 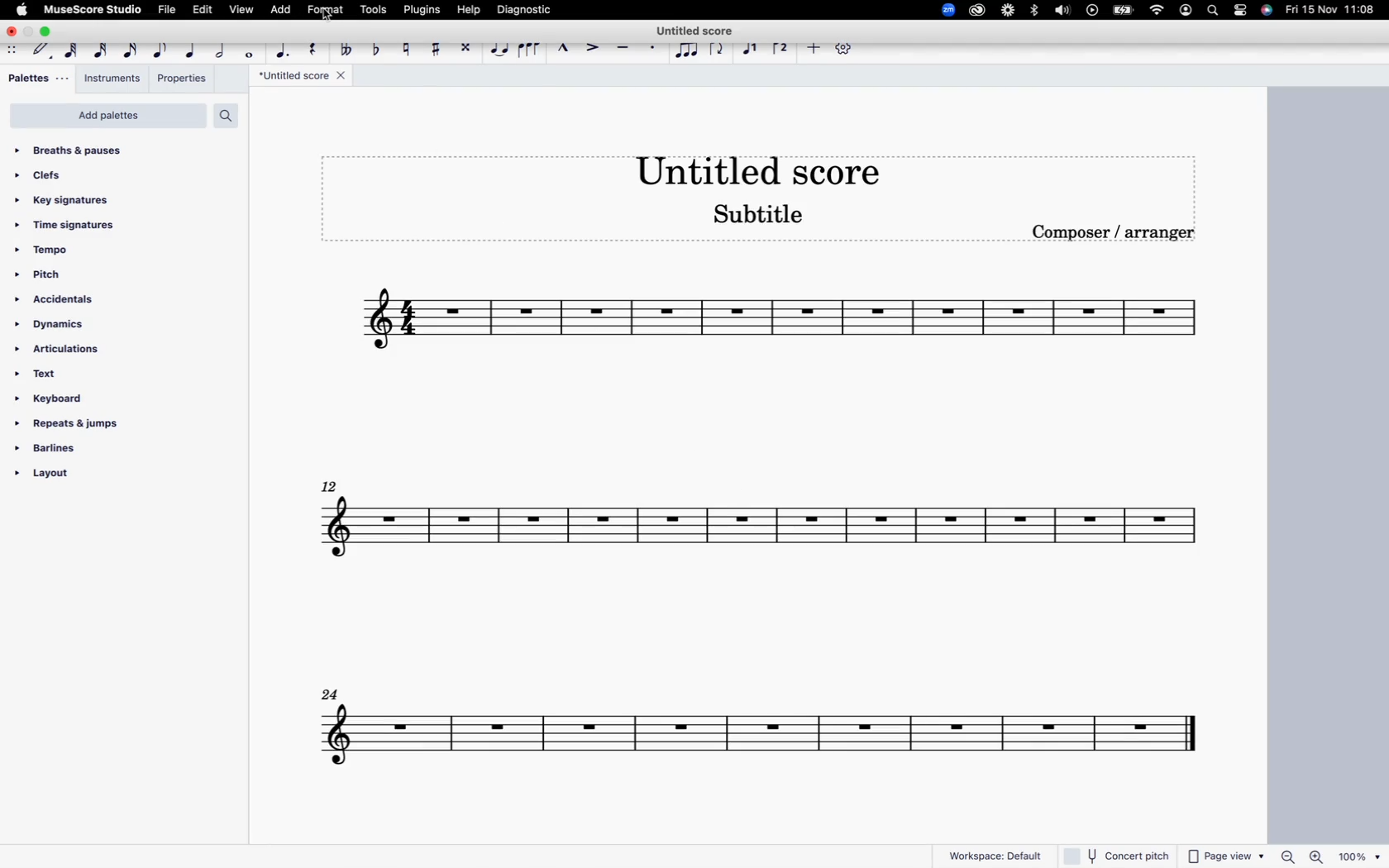 What do you see at coordinates (42, 53) in the screenshot?
I see `default` at bounding box center [42, 53].